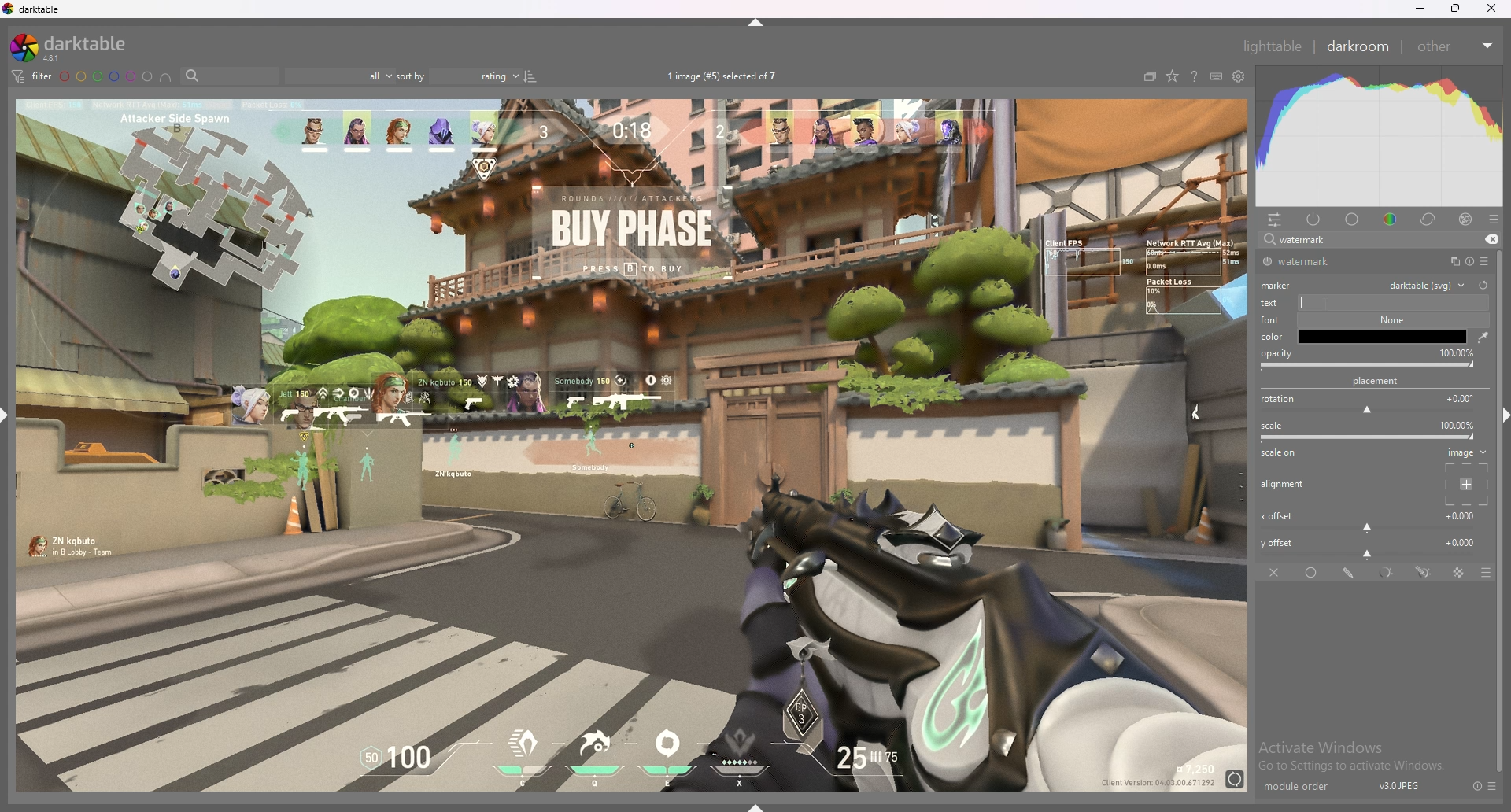  Describe the element at coordinates (1350, 328) in the screenshot. I see `tooltip` at that location.